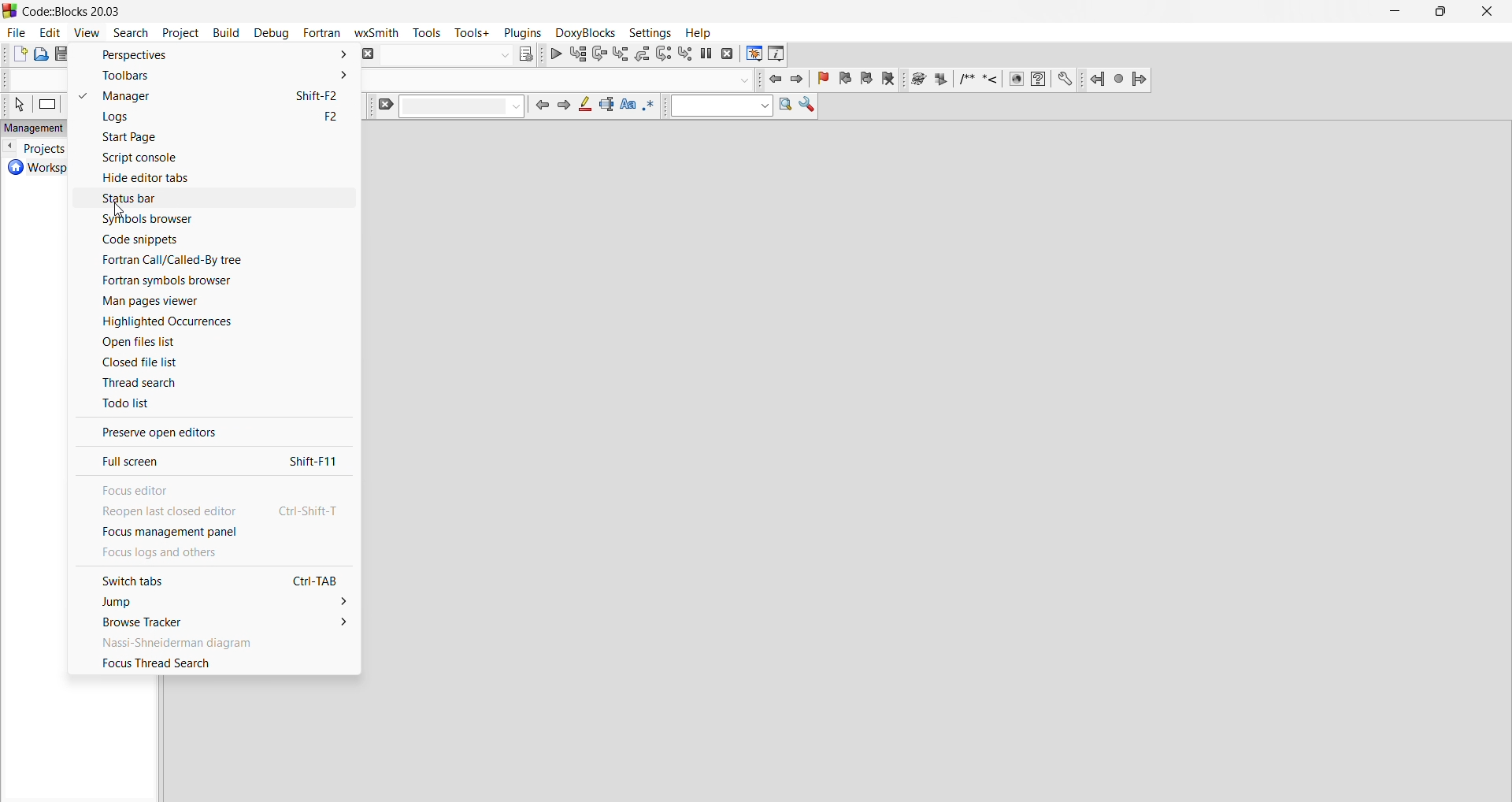 This screenshot has height=802, width=1512. Describe the element at coordinates (378, 34) in the screenshot. I see `wxSmith` at that location.